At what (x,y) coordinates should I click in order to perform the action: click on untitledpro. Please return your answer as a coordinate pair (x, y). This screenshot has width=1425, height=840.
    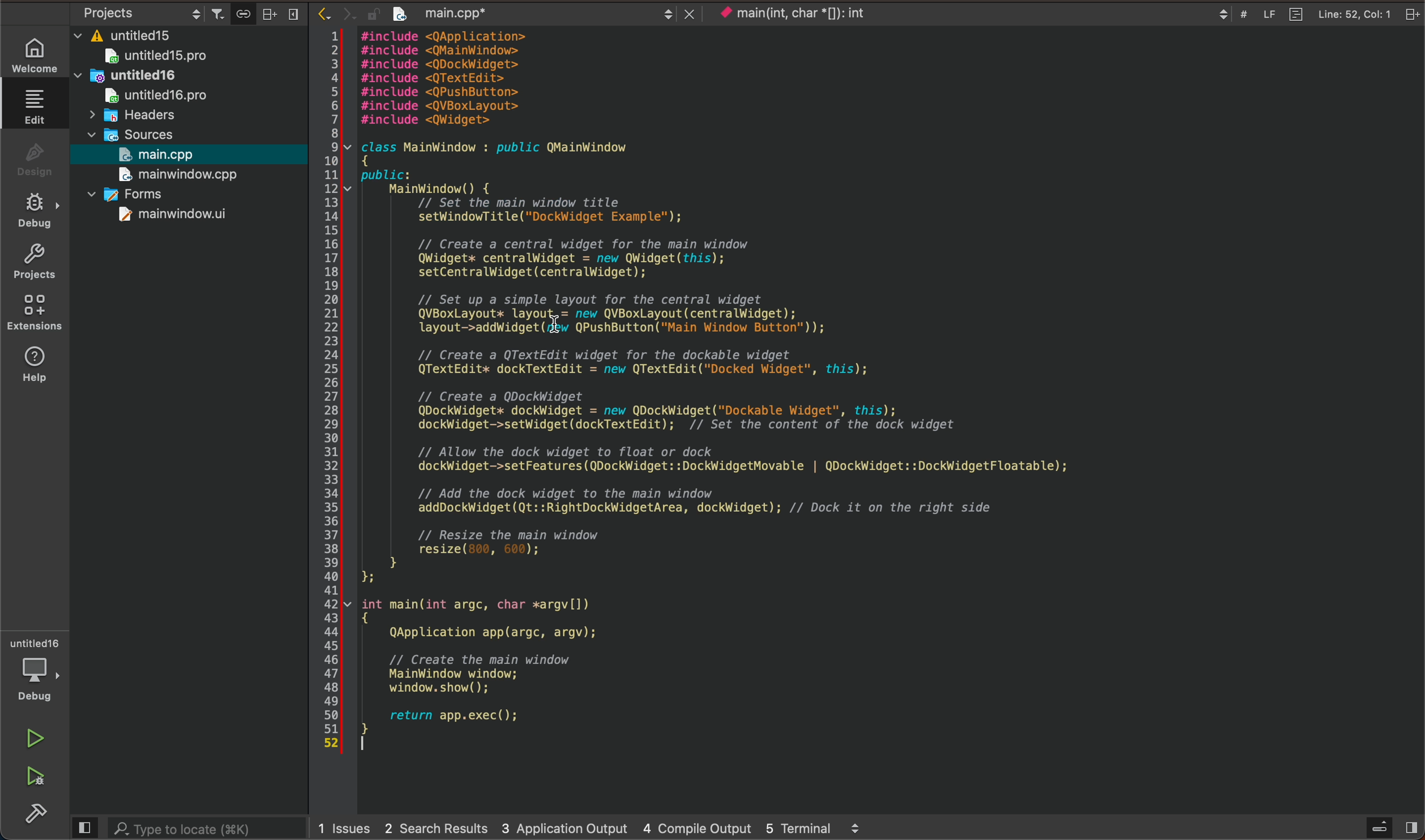
    Looking at the image, I should click on (161, 96).